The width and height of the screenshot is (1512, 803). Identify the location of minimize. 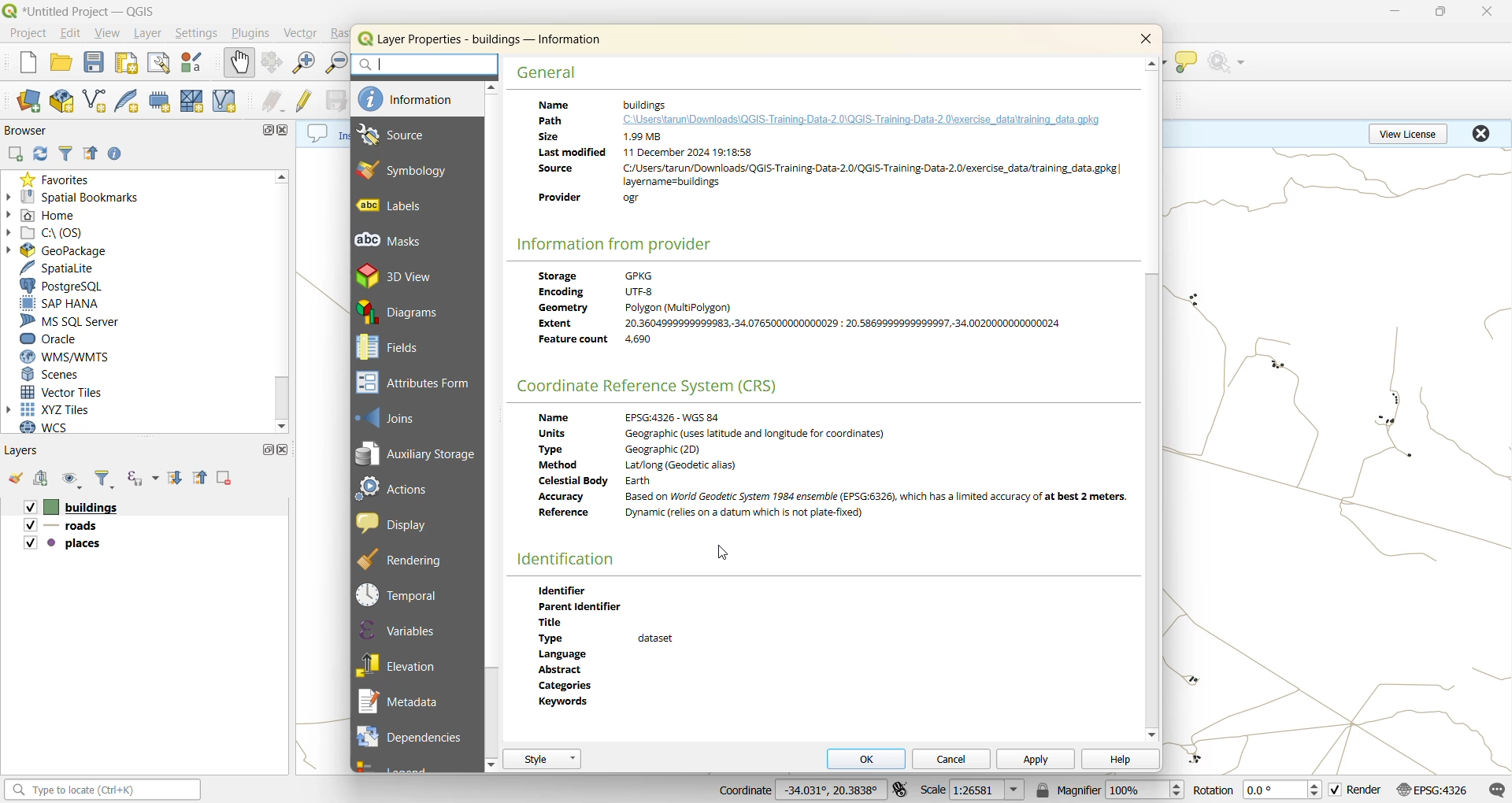
(1395, 9).